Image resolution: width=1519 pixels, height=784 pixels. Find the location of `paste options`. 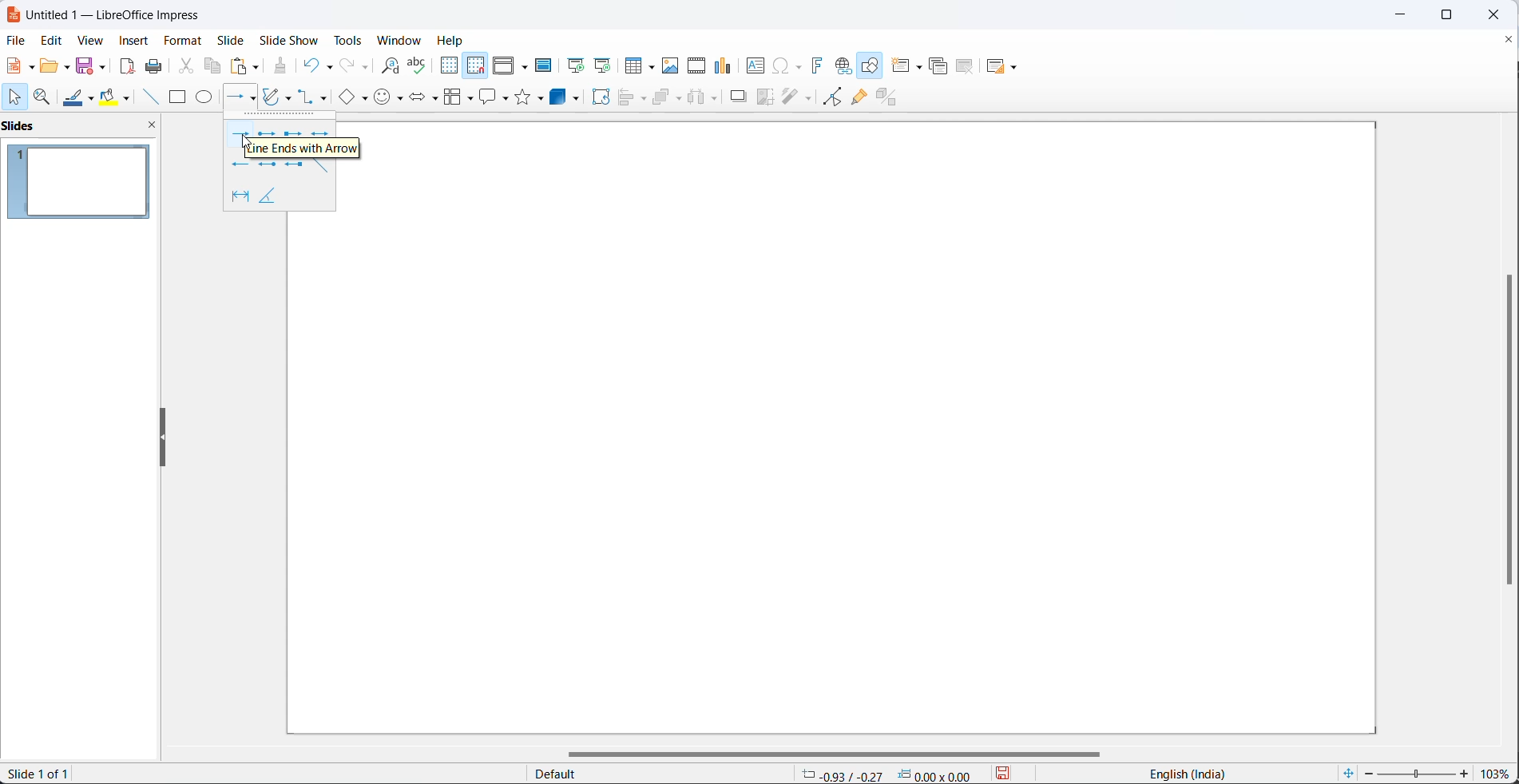

paste options is located at coordinates (245, 66).